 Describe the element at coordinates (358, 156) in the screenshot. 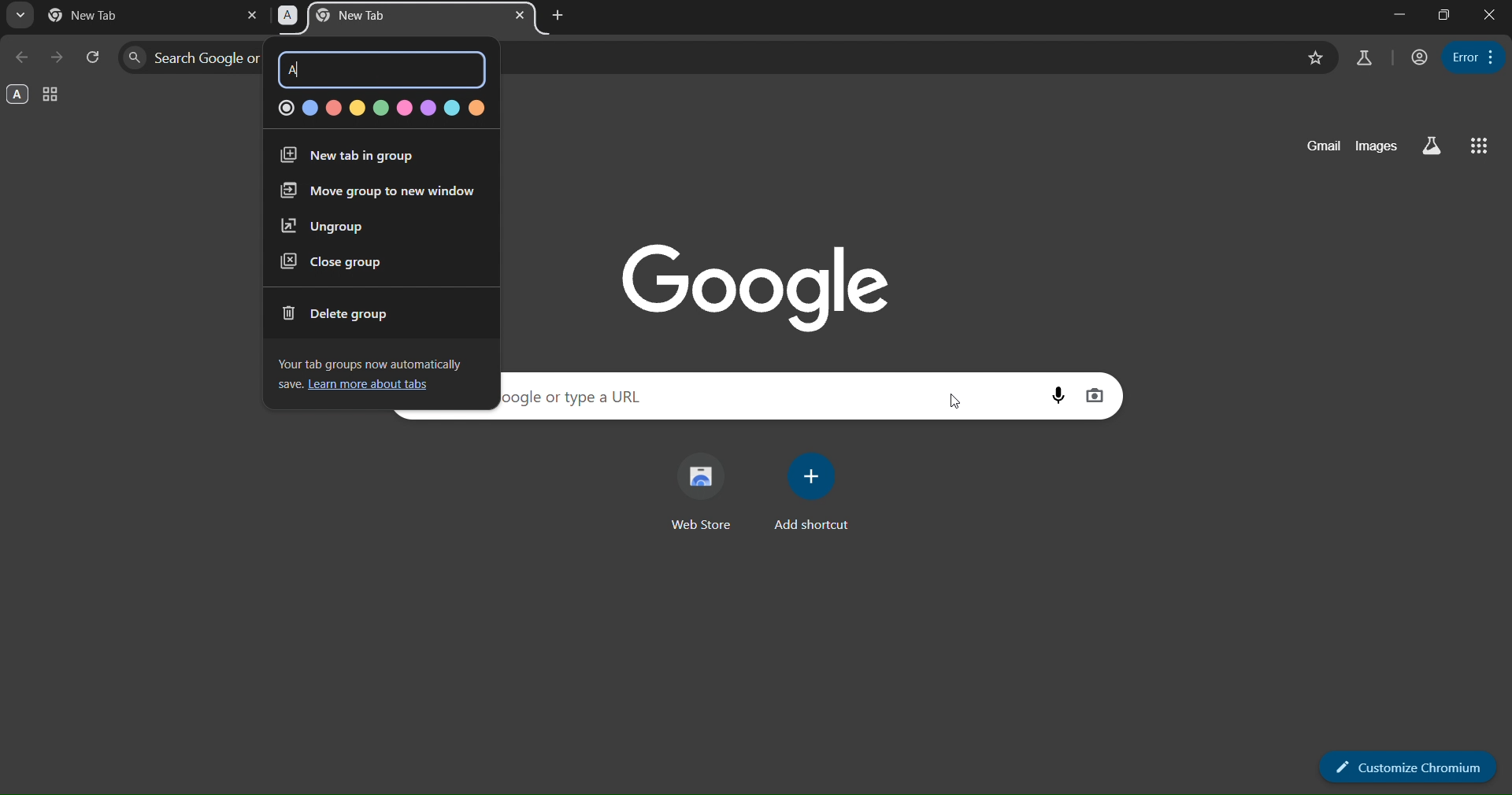

I see `new tab in group` at that location.